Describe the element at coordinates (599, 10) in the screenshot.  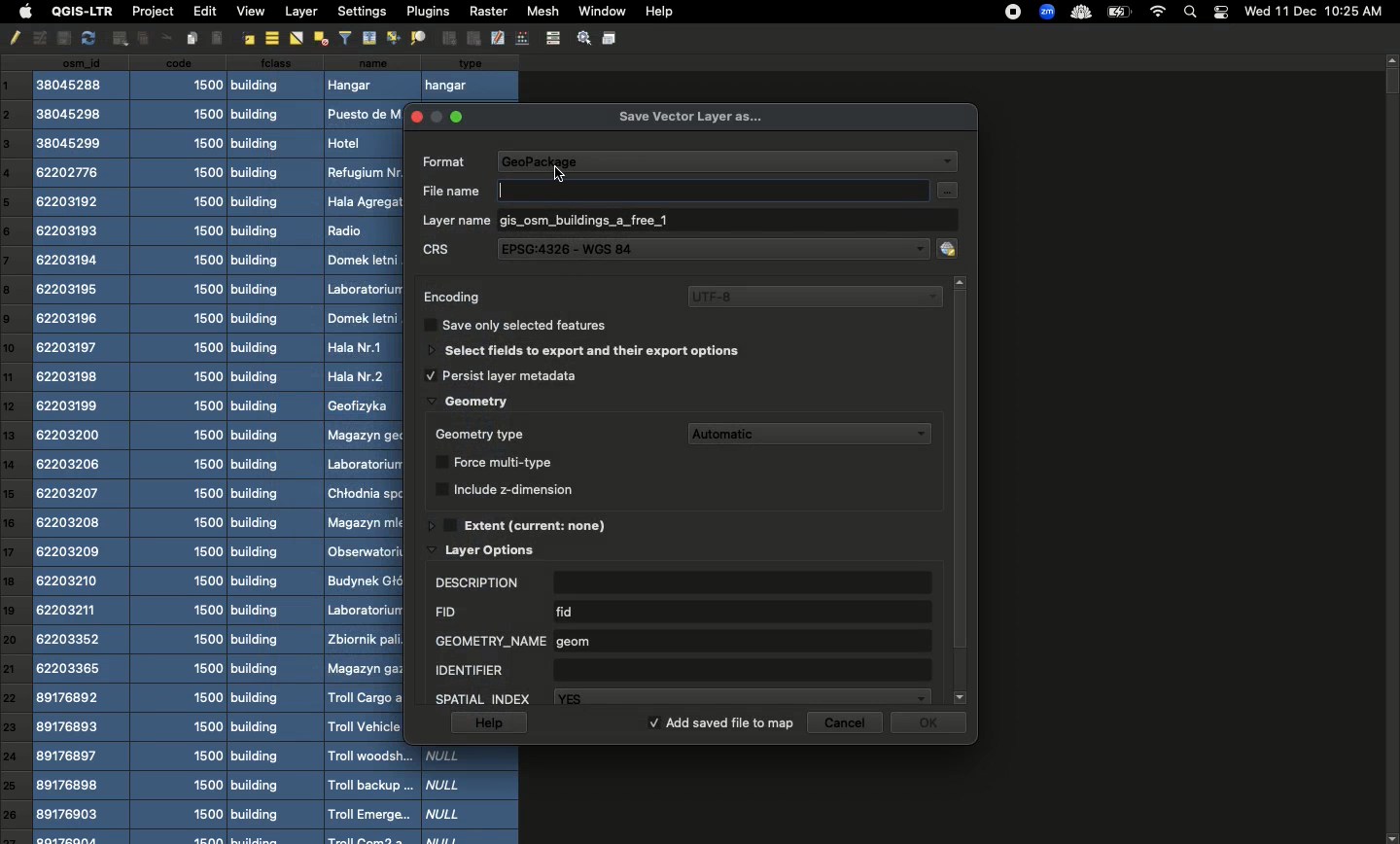
I see `Window` at that location.